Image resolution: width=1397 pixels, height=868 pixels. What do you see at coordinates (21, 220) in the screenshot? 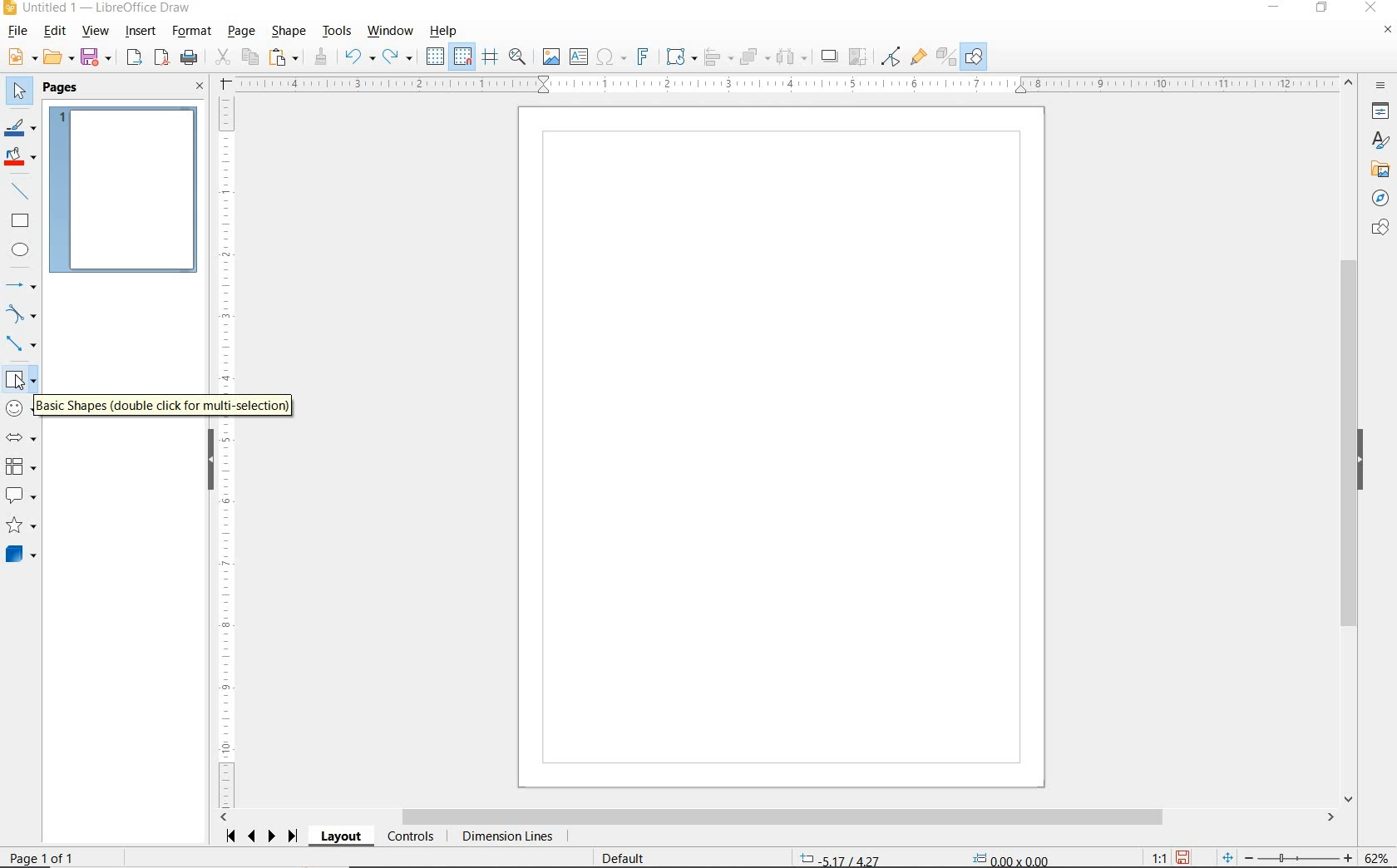
I see `RECTANGLE` at bounding box center [21, 220].